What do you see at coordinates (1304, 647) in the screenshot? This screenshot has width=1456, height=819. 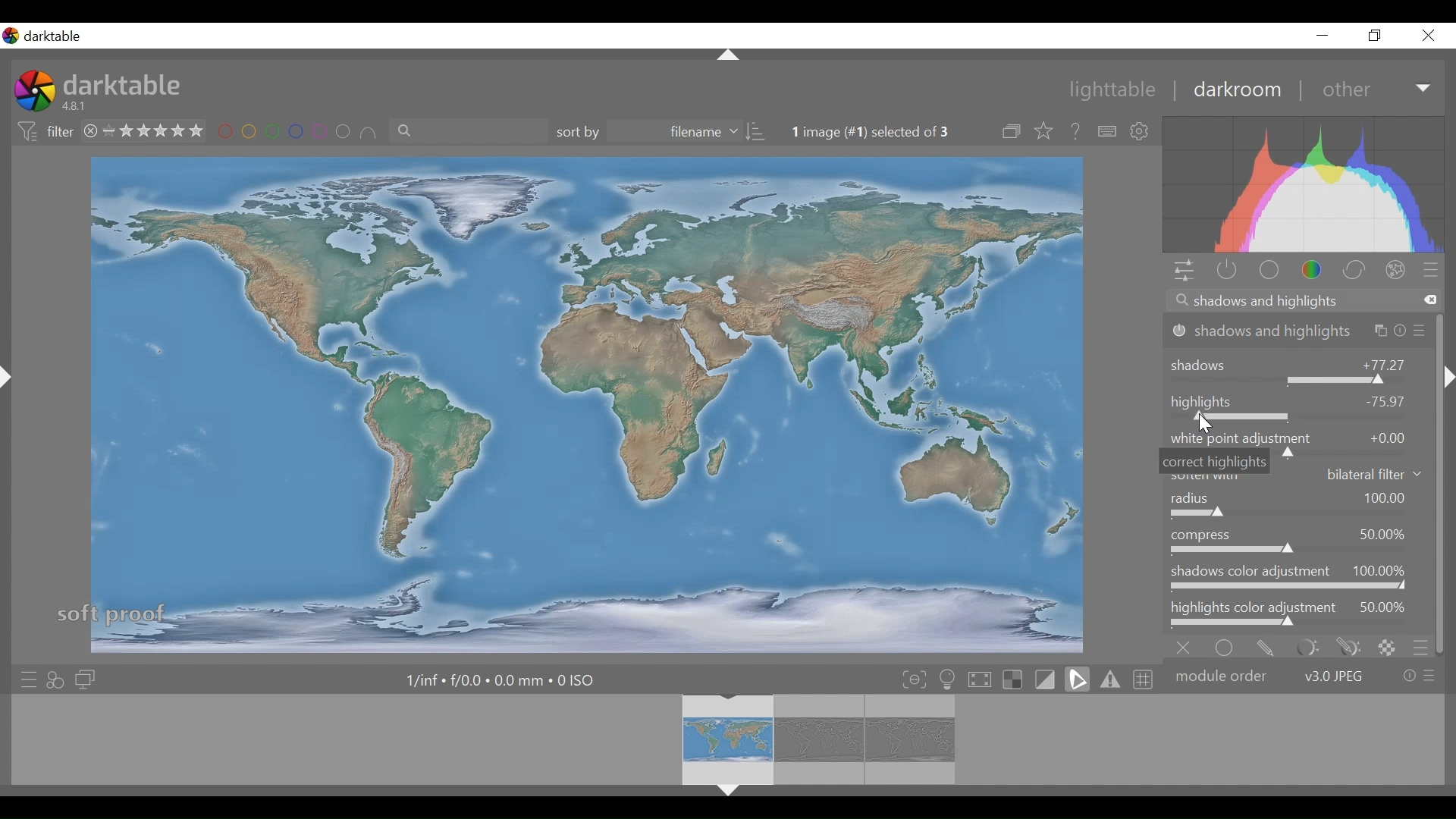 I see `parametric mask` at bounding box center [1304, 647].